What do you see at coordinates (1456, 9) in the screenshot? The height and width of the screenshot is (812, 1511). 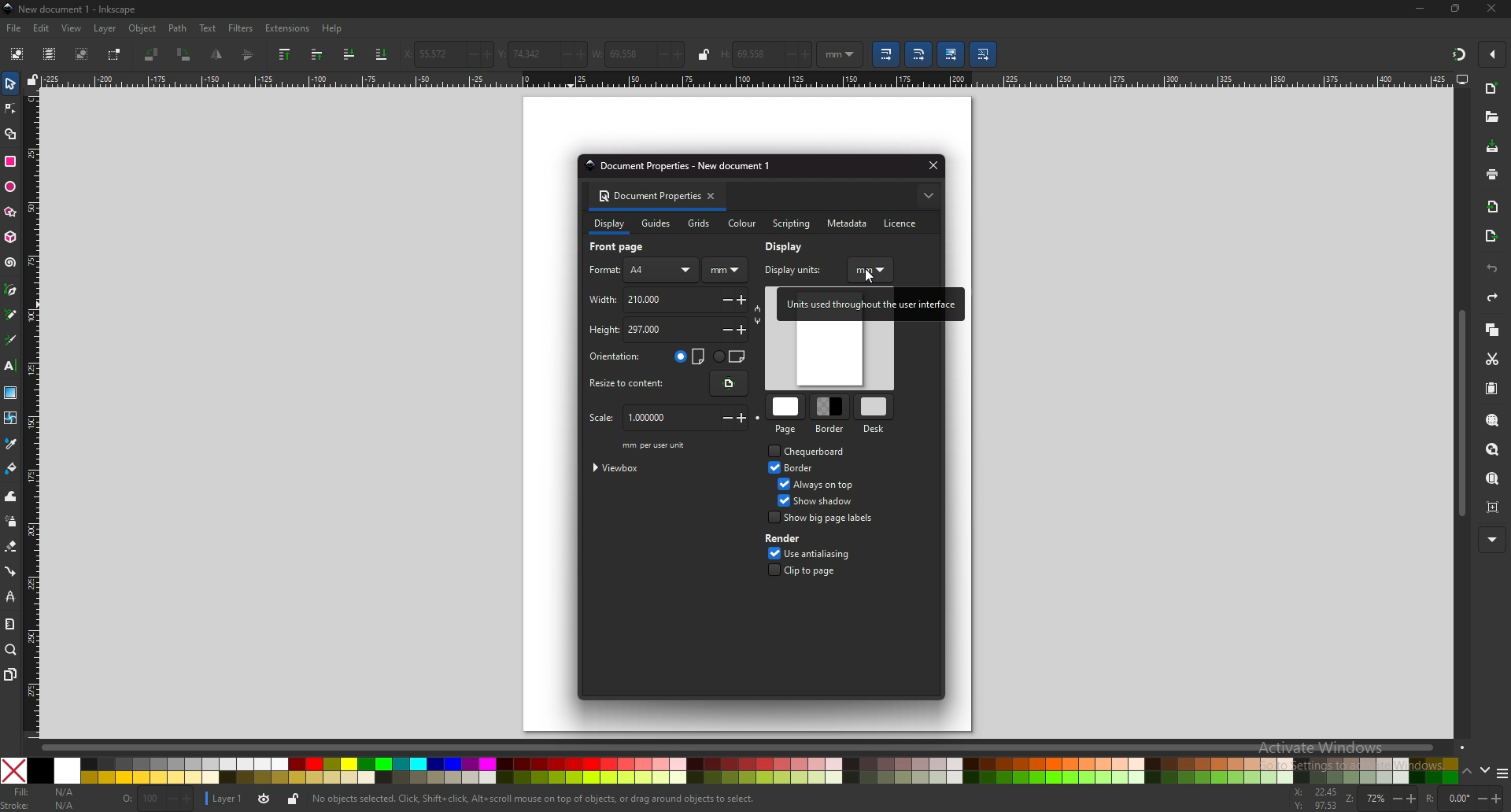 I see `maximize` at bounding box center [1456, 9].